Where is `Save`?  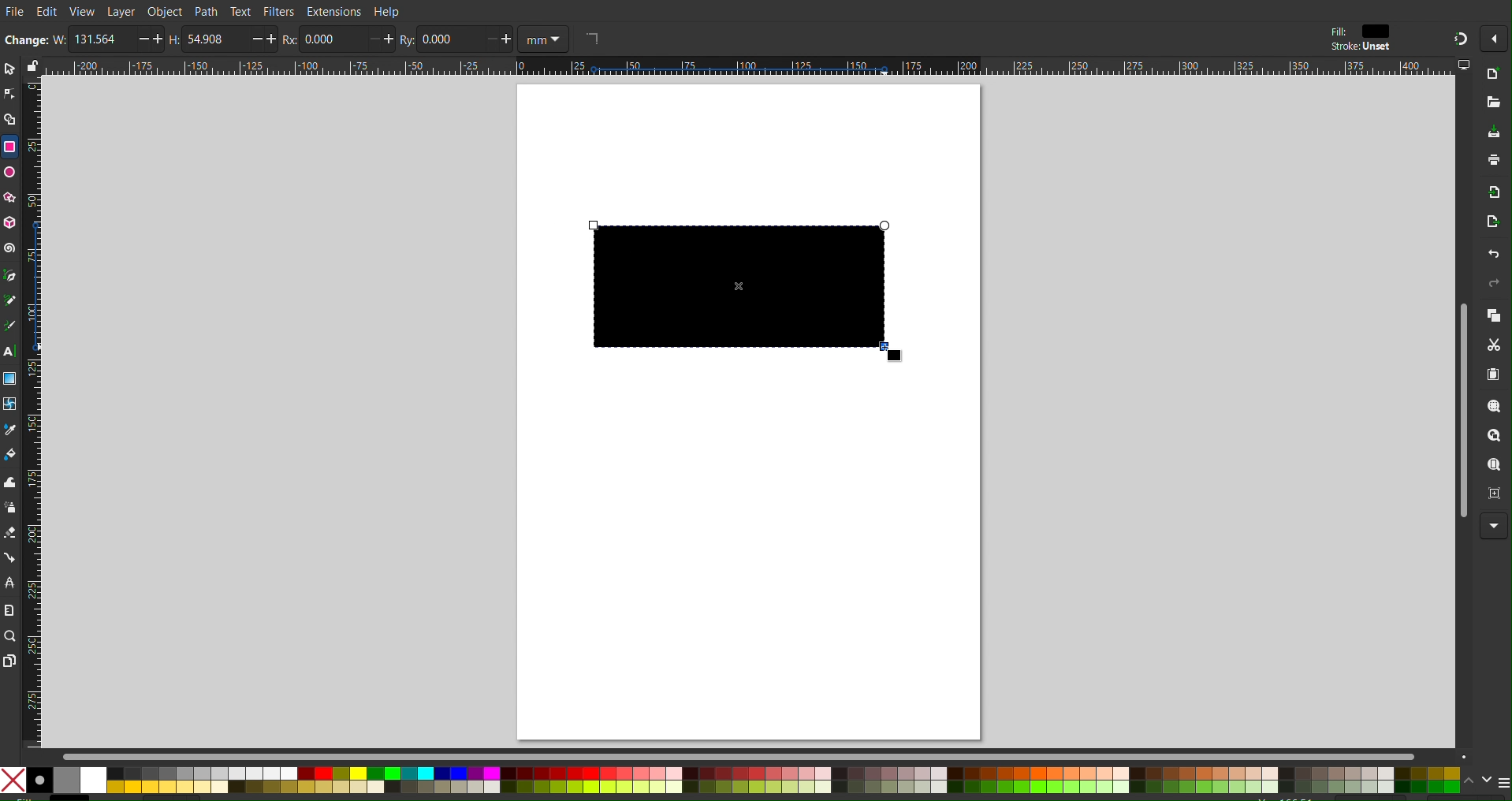 Save is located at coordinates (1490, 132).